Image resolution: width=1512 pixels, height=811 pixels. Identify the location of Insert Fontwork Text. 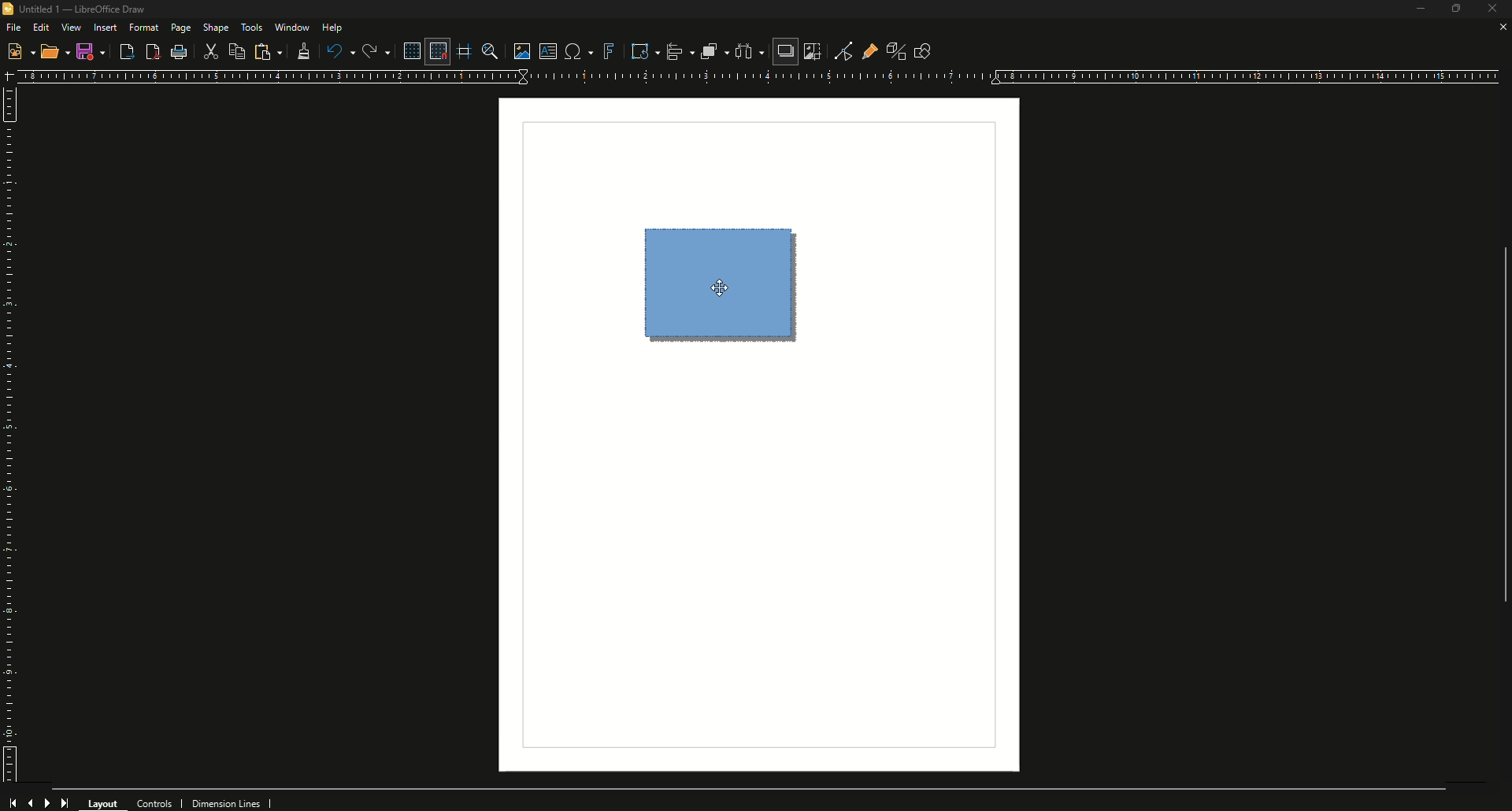
(608, 51).